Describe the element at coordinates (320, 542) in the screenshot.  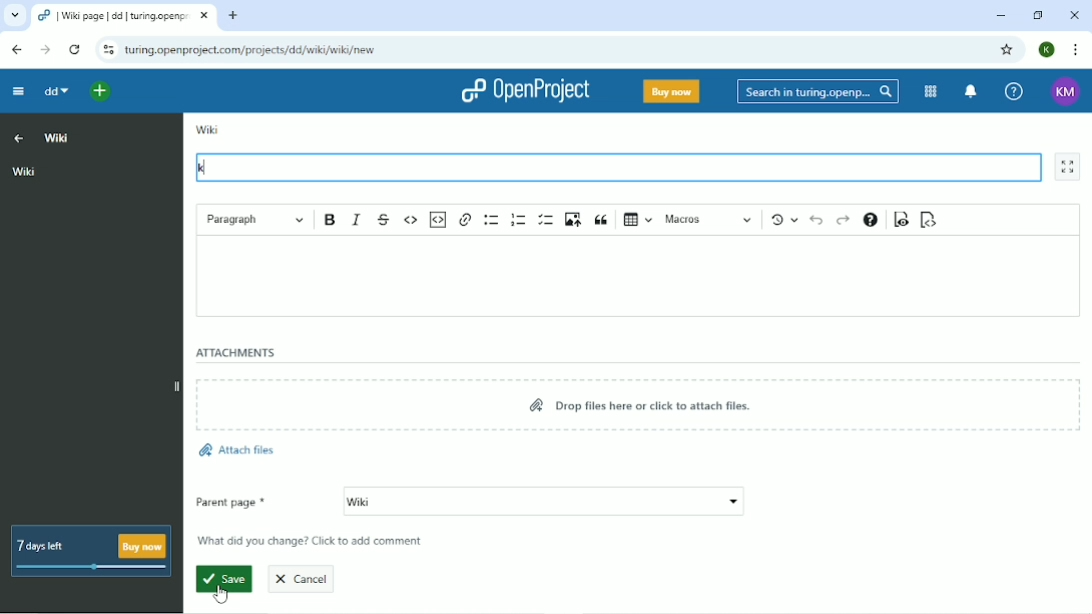
I see `What did you change? Click to add comment.` at that location.